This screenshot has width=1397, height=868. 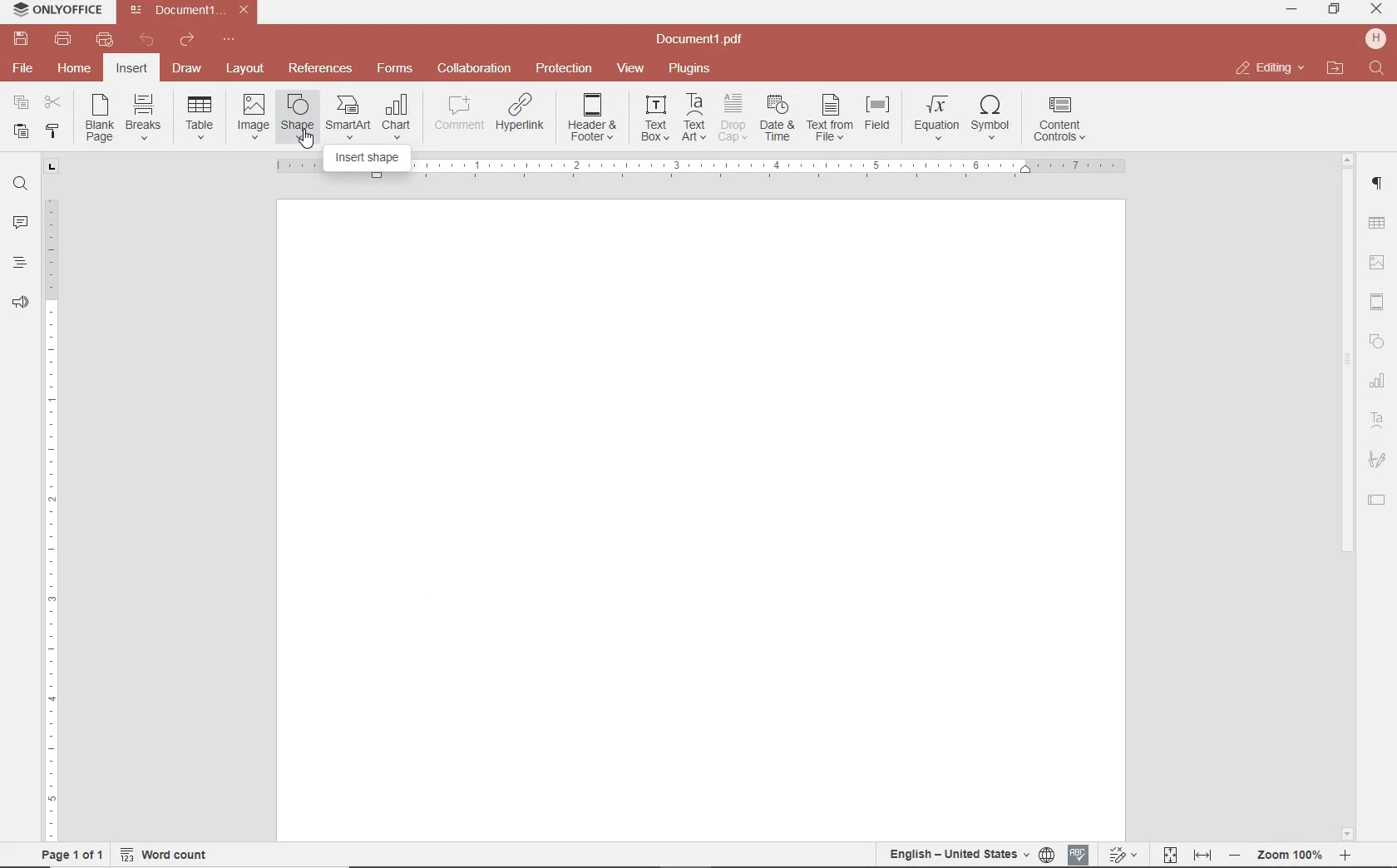 I want to click on DROP CAP, so click(x=733, y=118).